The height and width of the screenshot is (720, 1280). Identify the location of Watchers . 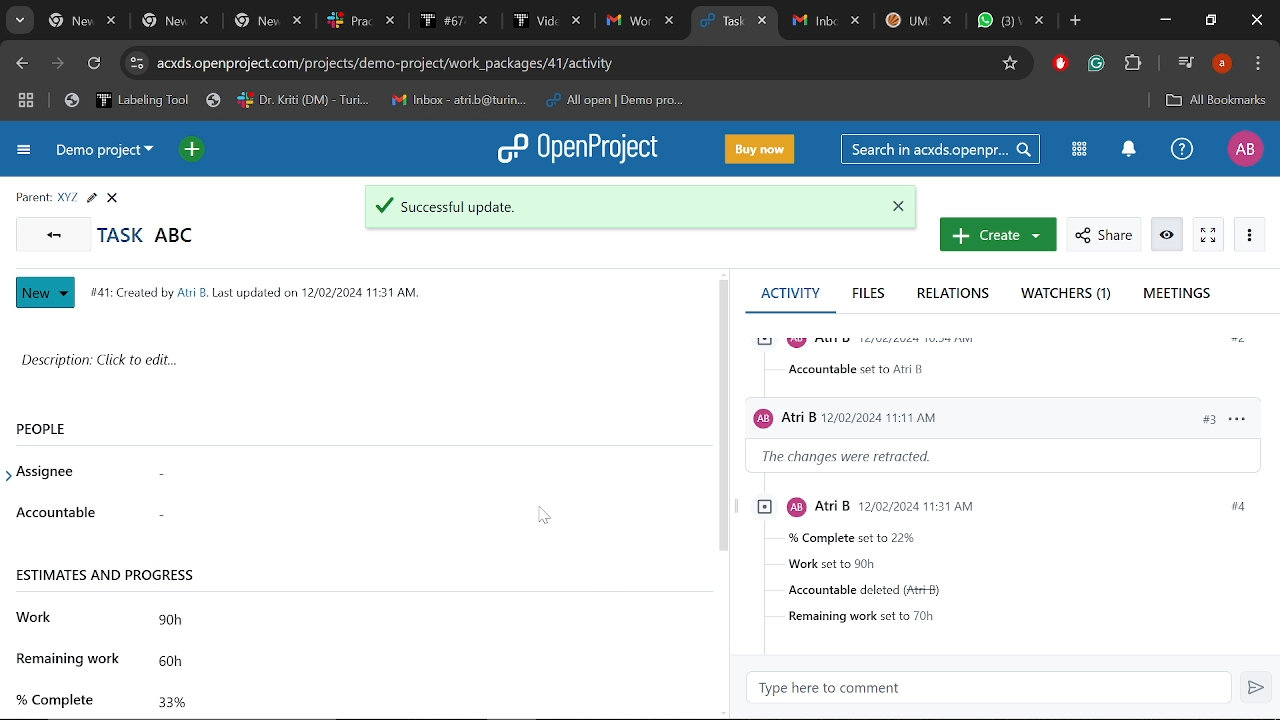
(1069, 295).